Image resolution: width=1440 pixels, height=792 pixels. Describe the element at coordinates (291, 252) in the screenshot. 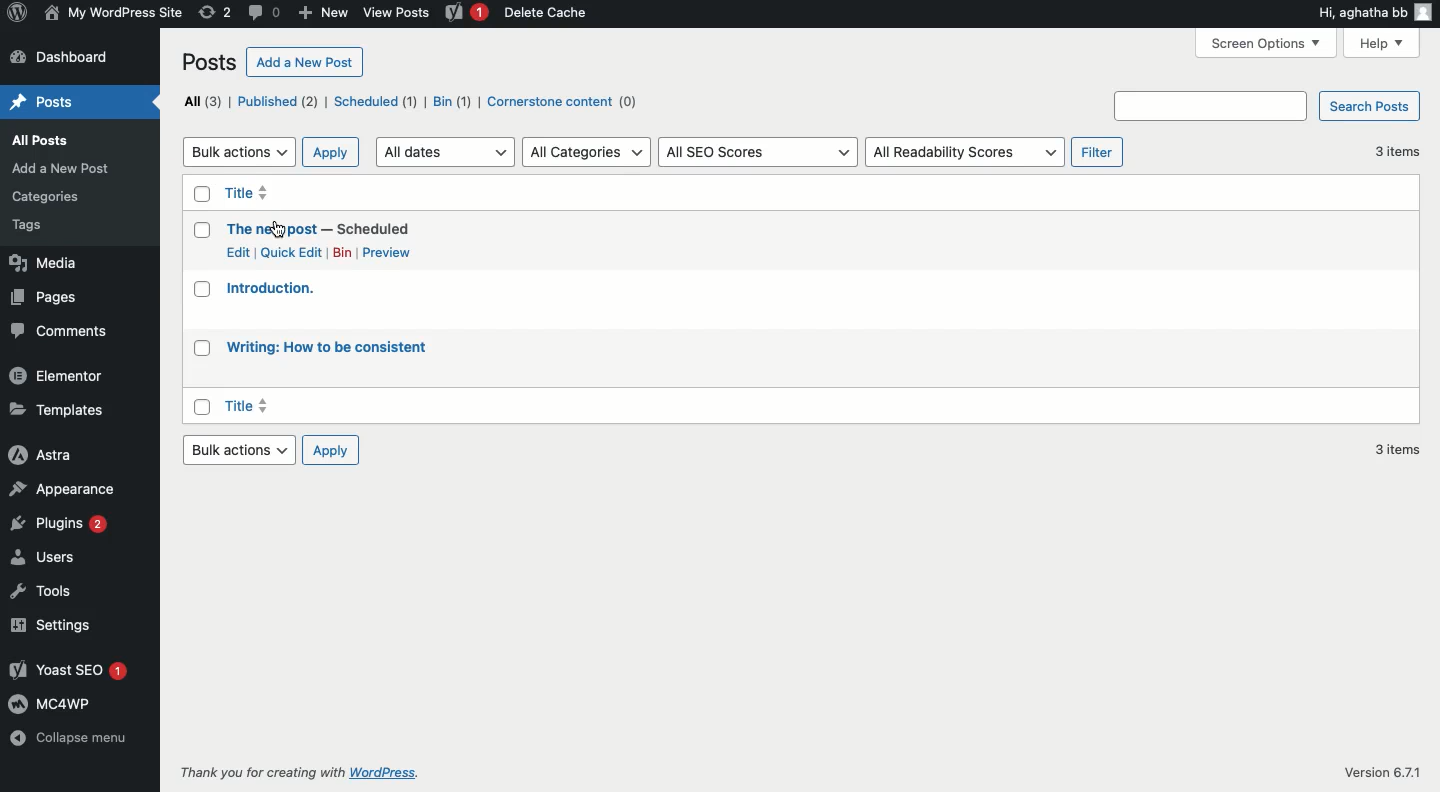

I see `Quick edit` at that location.